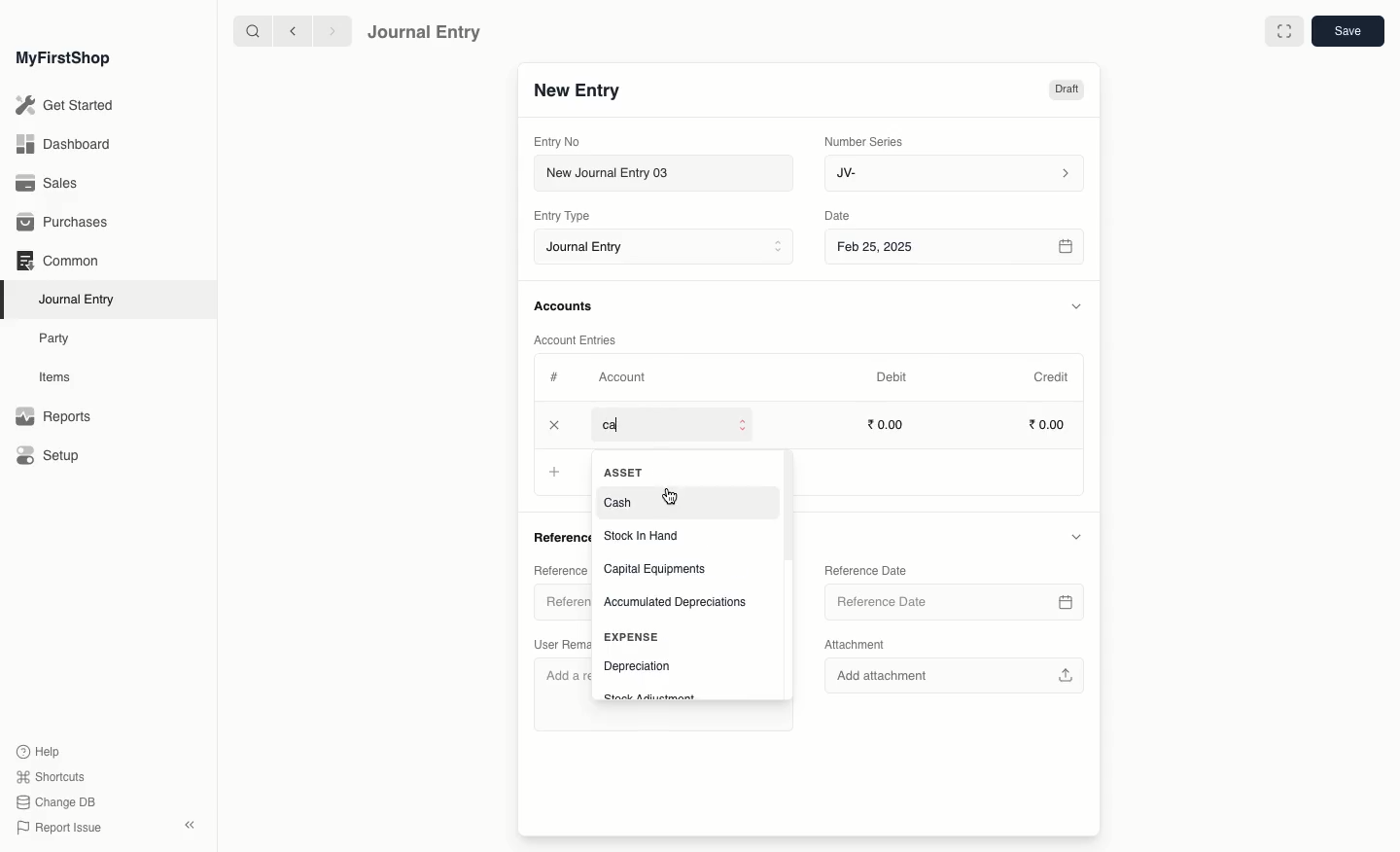  Describe the element at coordinates (669, 248) in the screenshot. I see `Journal Entry` at that location.